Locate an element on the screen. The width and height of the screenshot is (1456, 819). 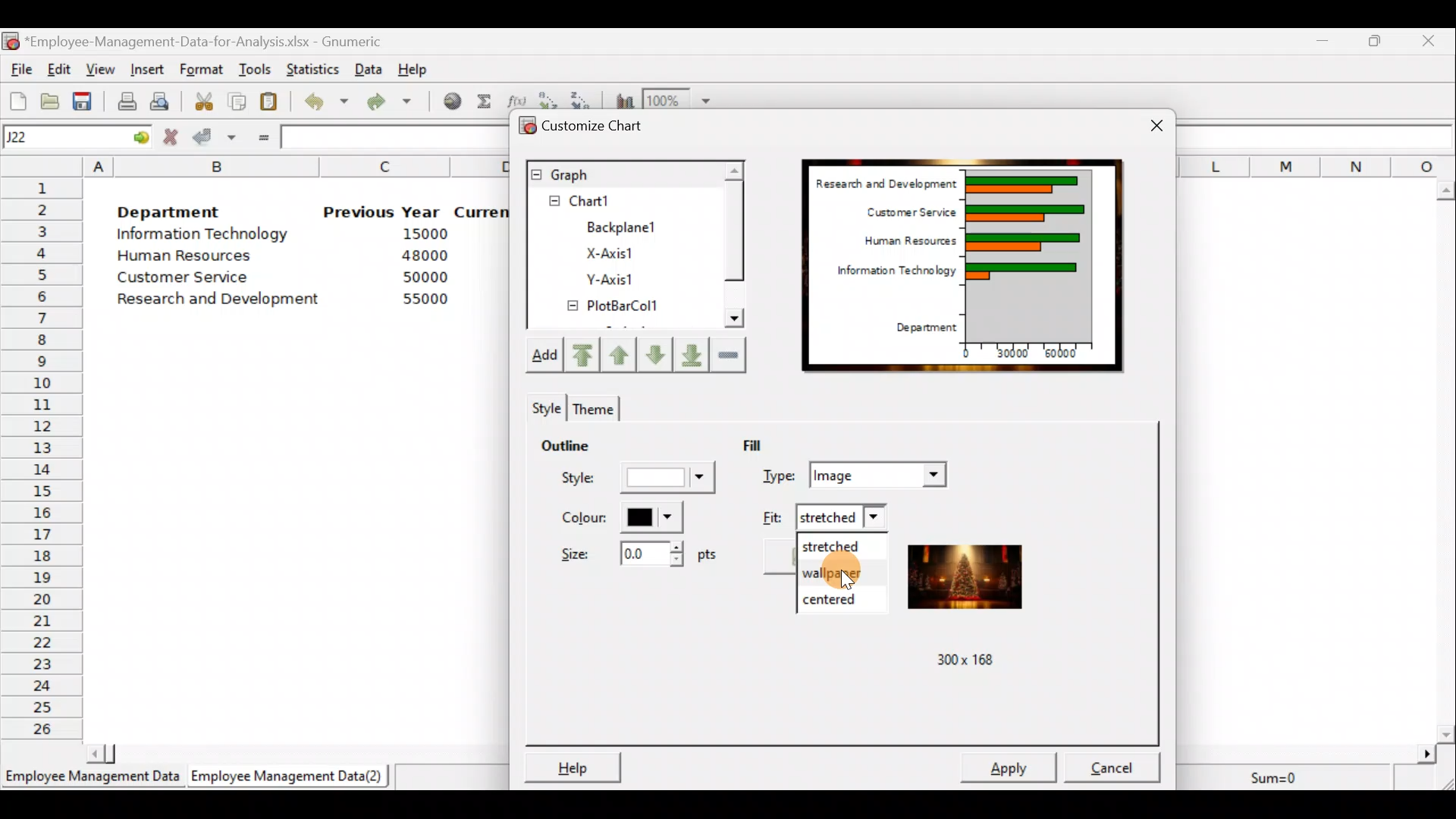
Minimize is located at coordinates (1323, 40).